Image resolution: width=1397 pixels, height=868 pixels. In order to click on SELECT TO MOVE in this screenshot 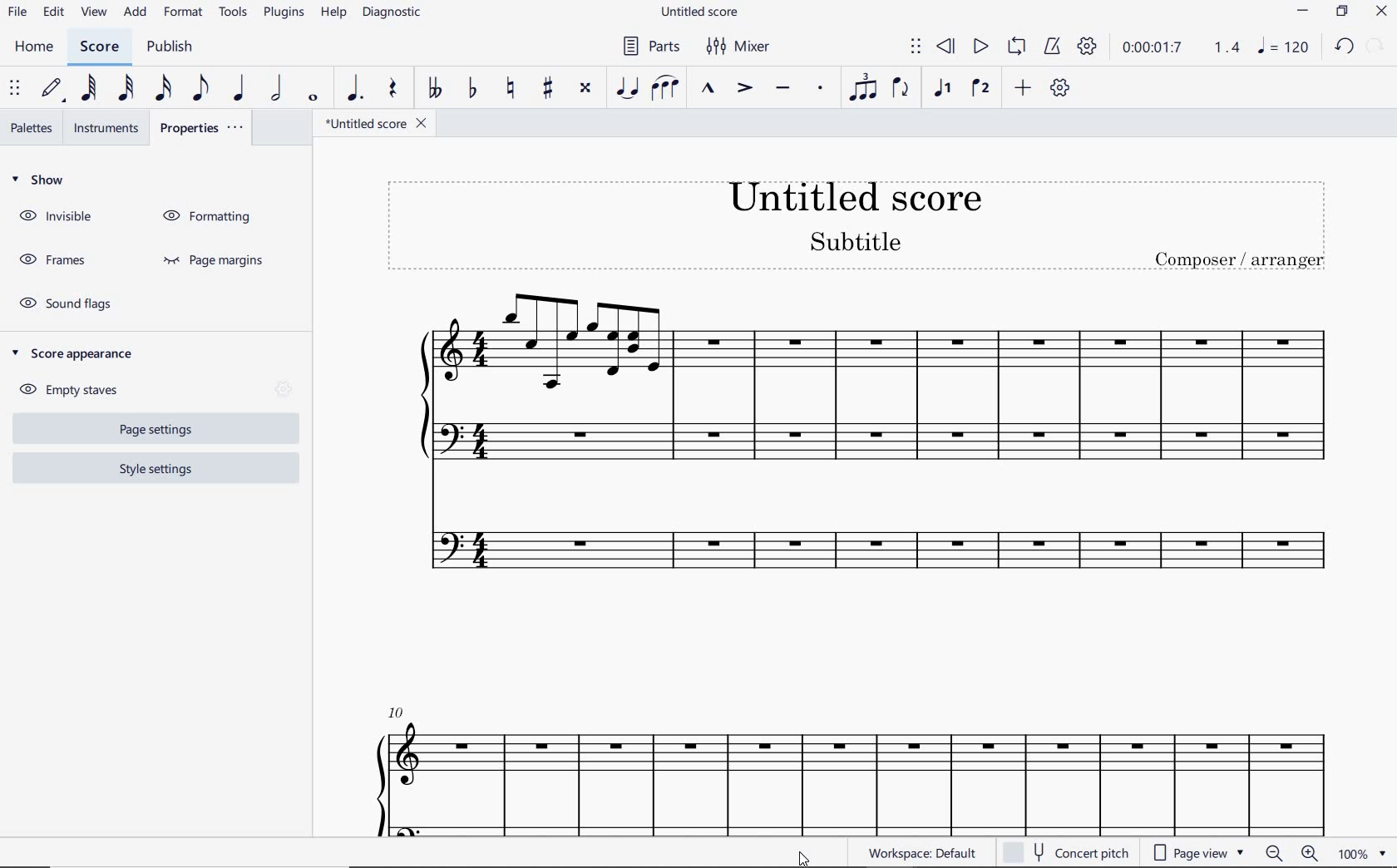, I will do `click(916, 47)`.